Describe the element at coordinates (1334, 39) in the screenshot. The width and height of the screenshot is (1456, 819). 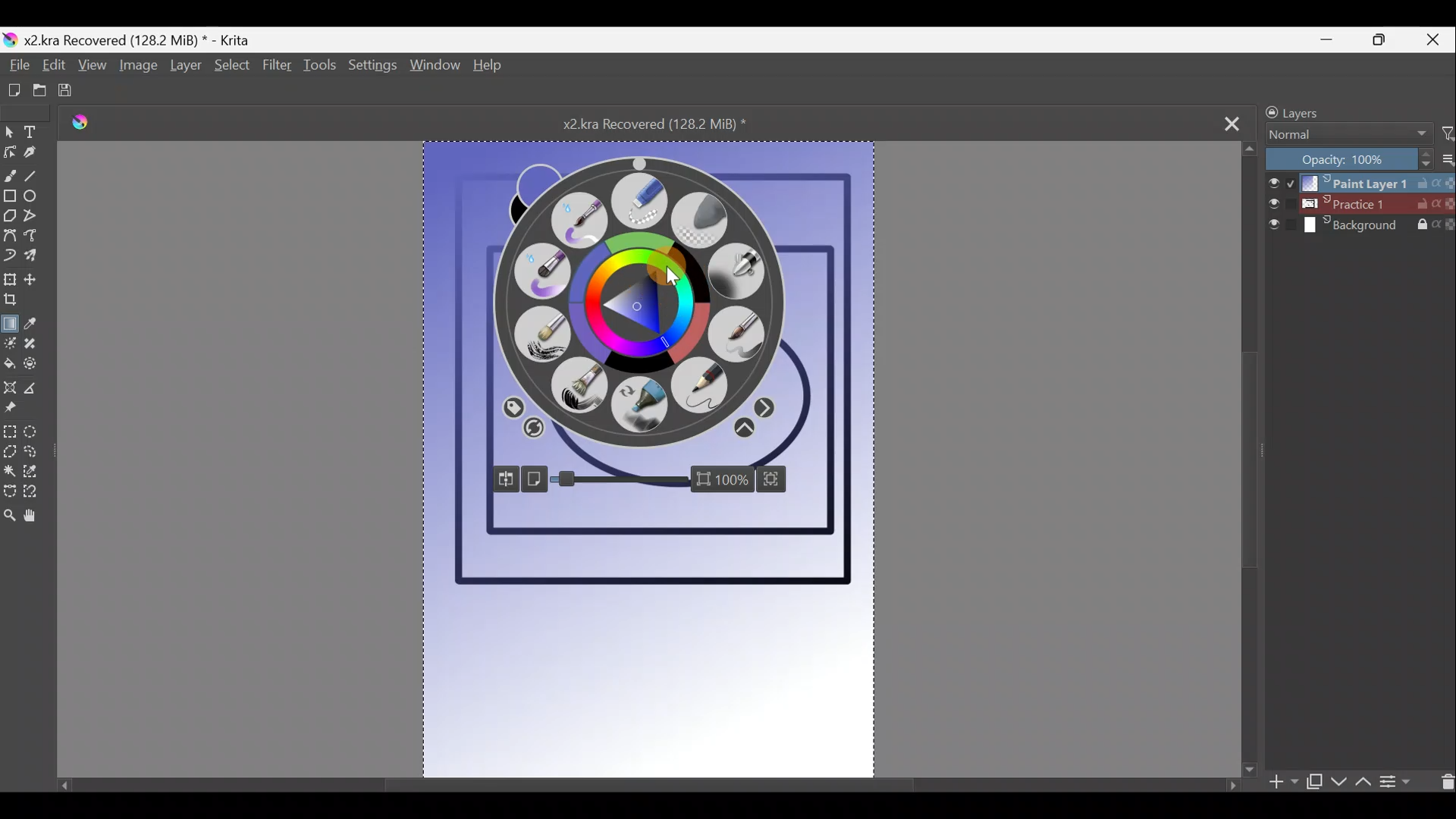
I see `Minimise` at that location.